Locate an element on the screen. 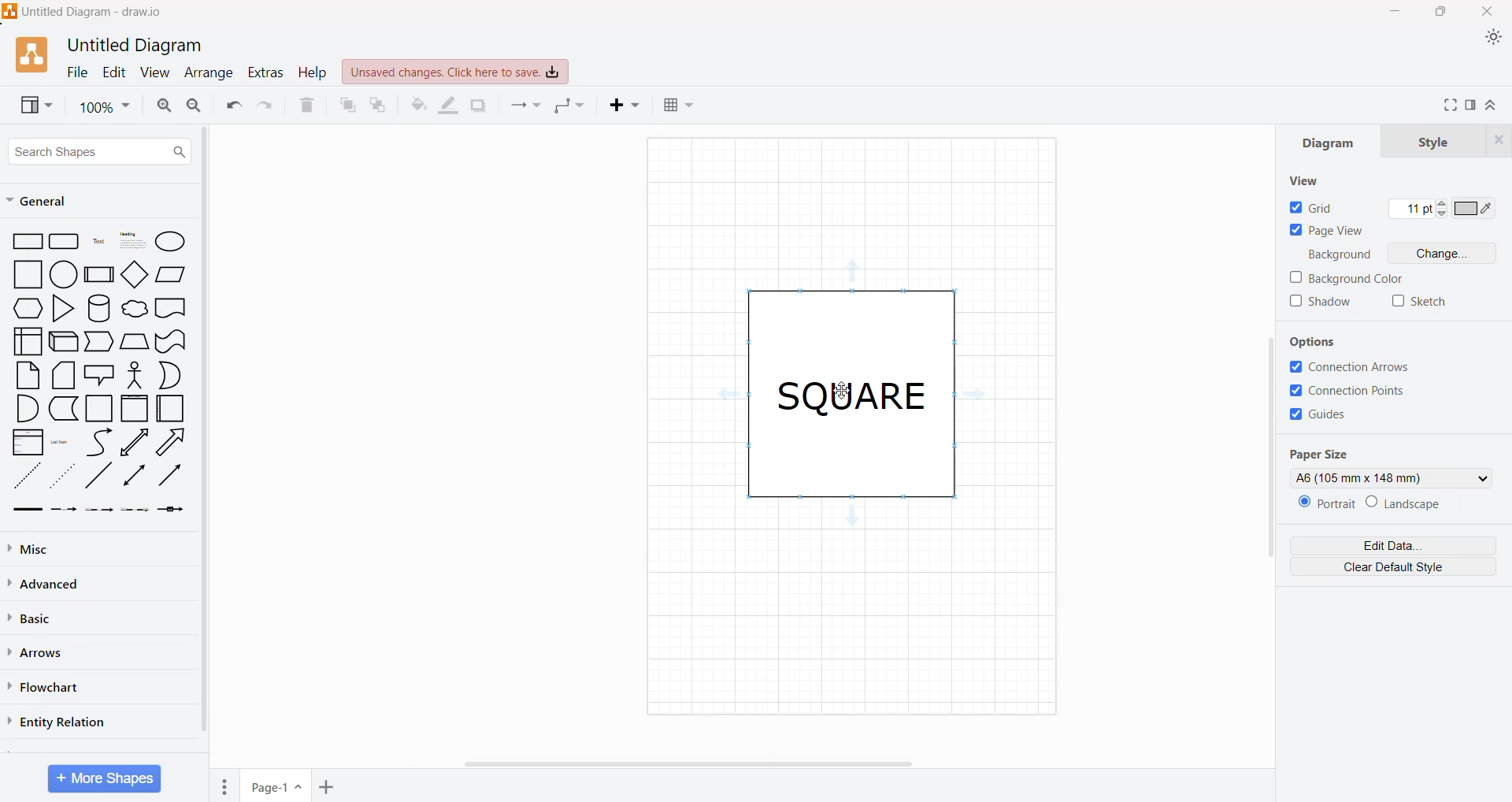  Double Arrow  is located at coordinates (135, 477).